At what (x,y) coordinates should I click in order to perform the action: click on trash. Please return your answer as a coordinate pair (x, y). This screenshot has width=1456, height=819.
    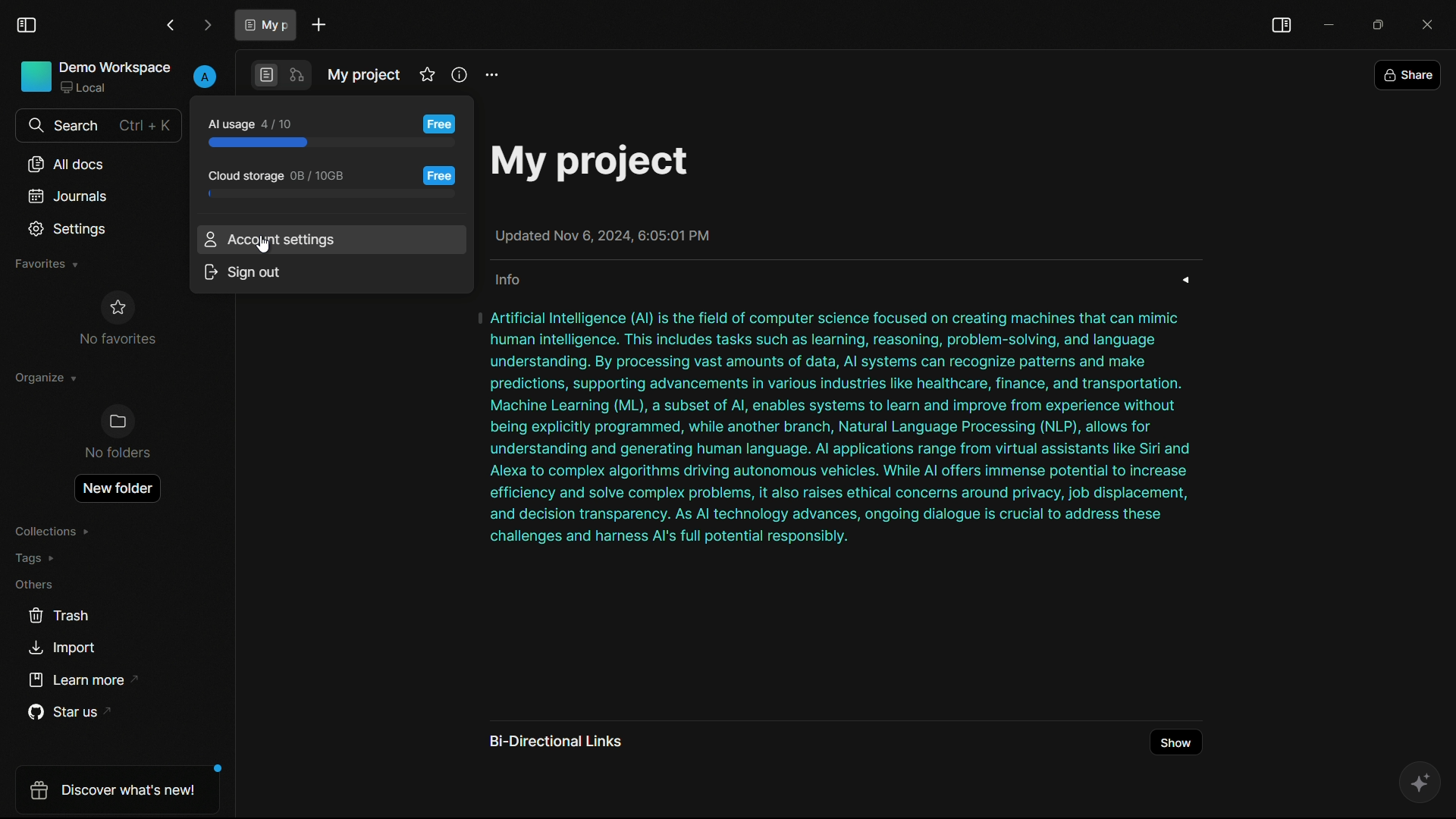
    Looking at the image, I should click on (61, 616).